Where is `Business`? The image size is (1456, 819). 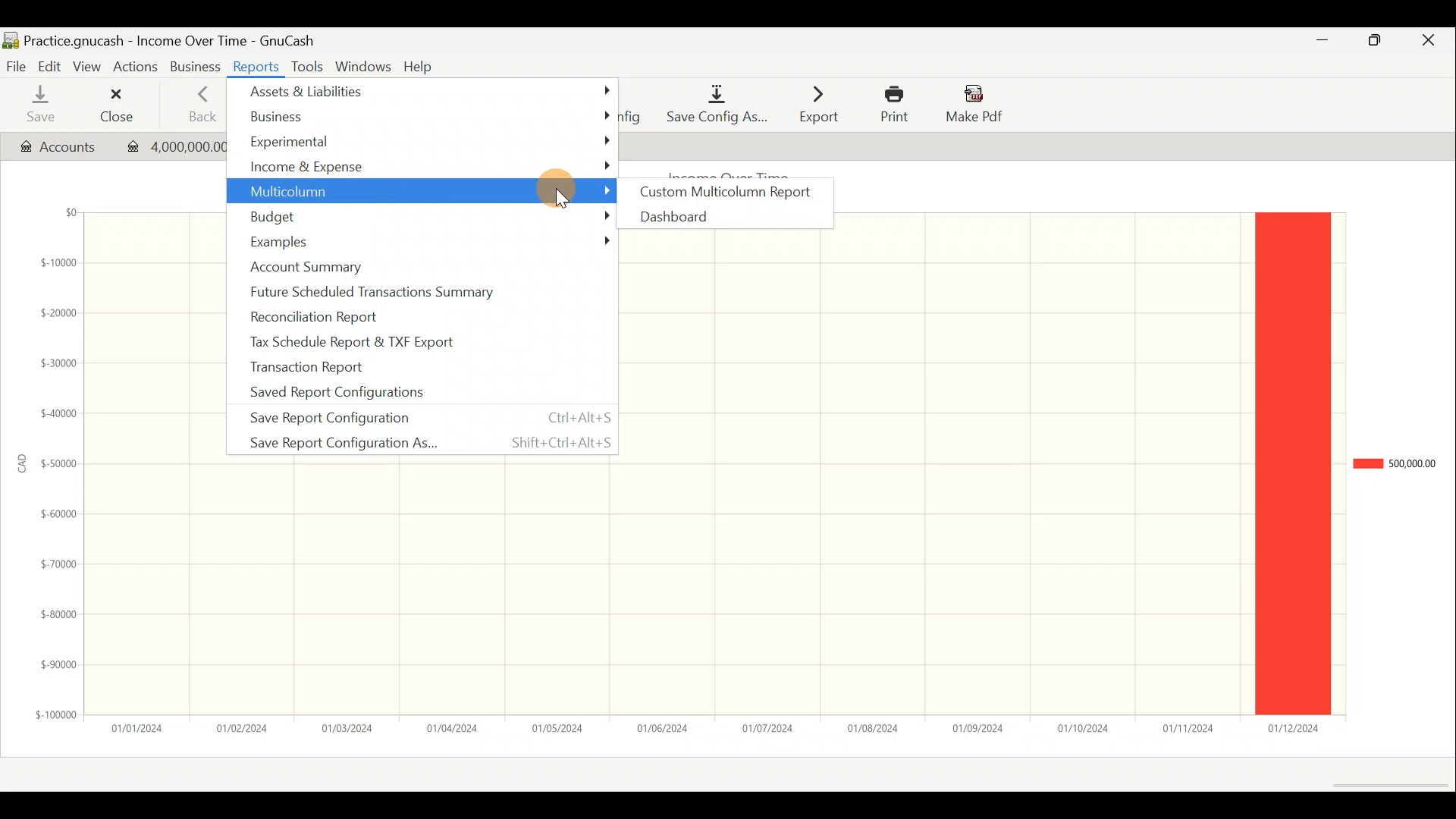
Business is located at coordinates (426, 113).